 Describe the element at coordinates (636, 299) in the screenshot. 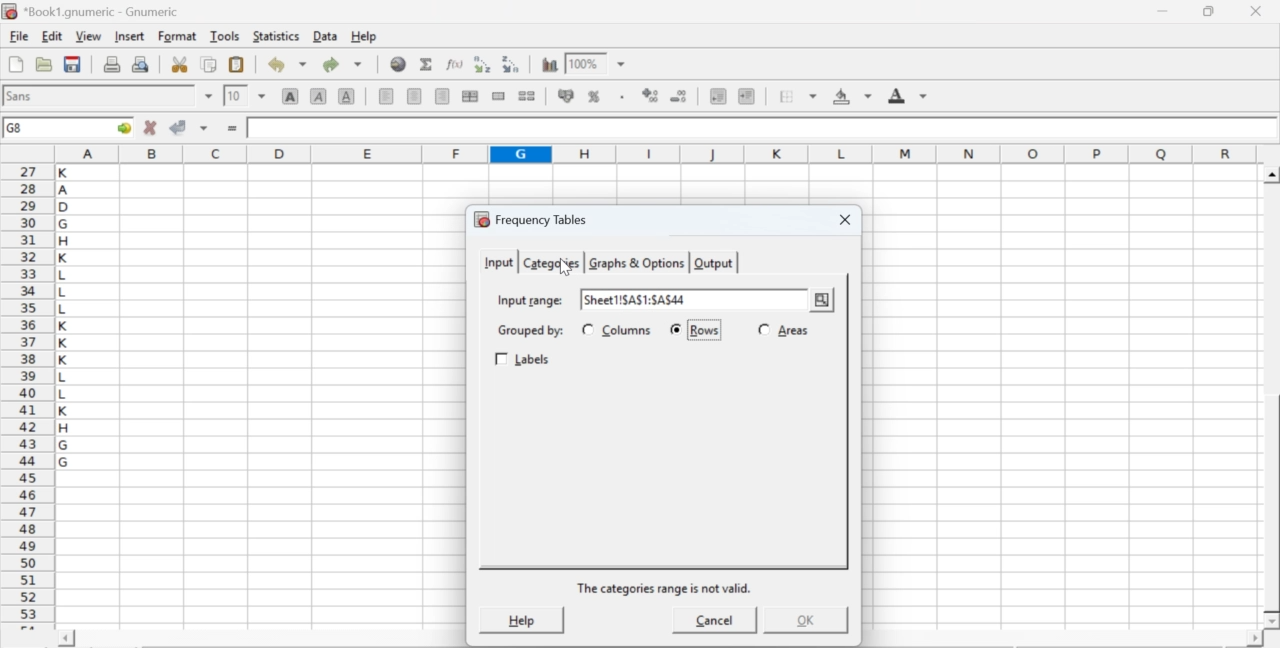

I see `sheet1!$A$1:$A$44` at that location.